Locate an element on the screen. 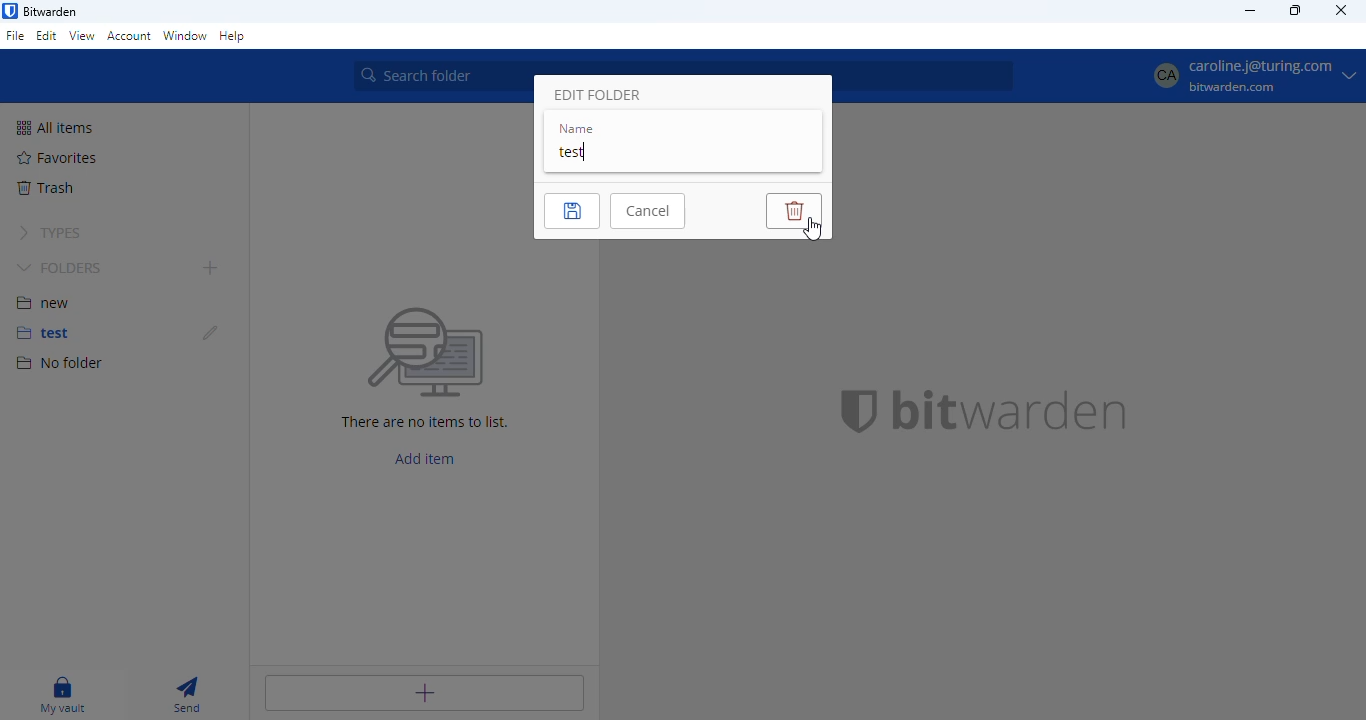 This screenshot has height=720, width=1366. delete is located at coordinates (794, 212).